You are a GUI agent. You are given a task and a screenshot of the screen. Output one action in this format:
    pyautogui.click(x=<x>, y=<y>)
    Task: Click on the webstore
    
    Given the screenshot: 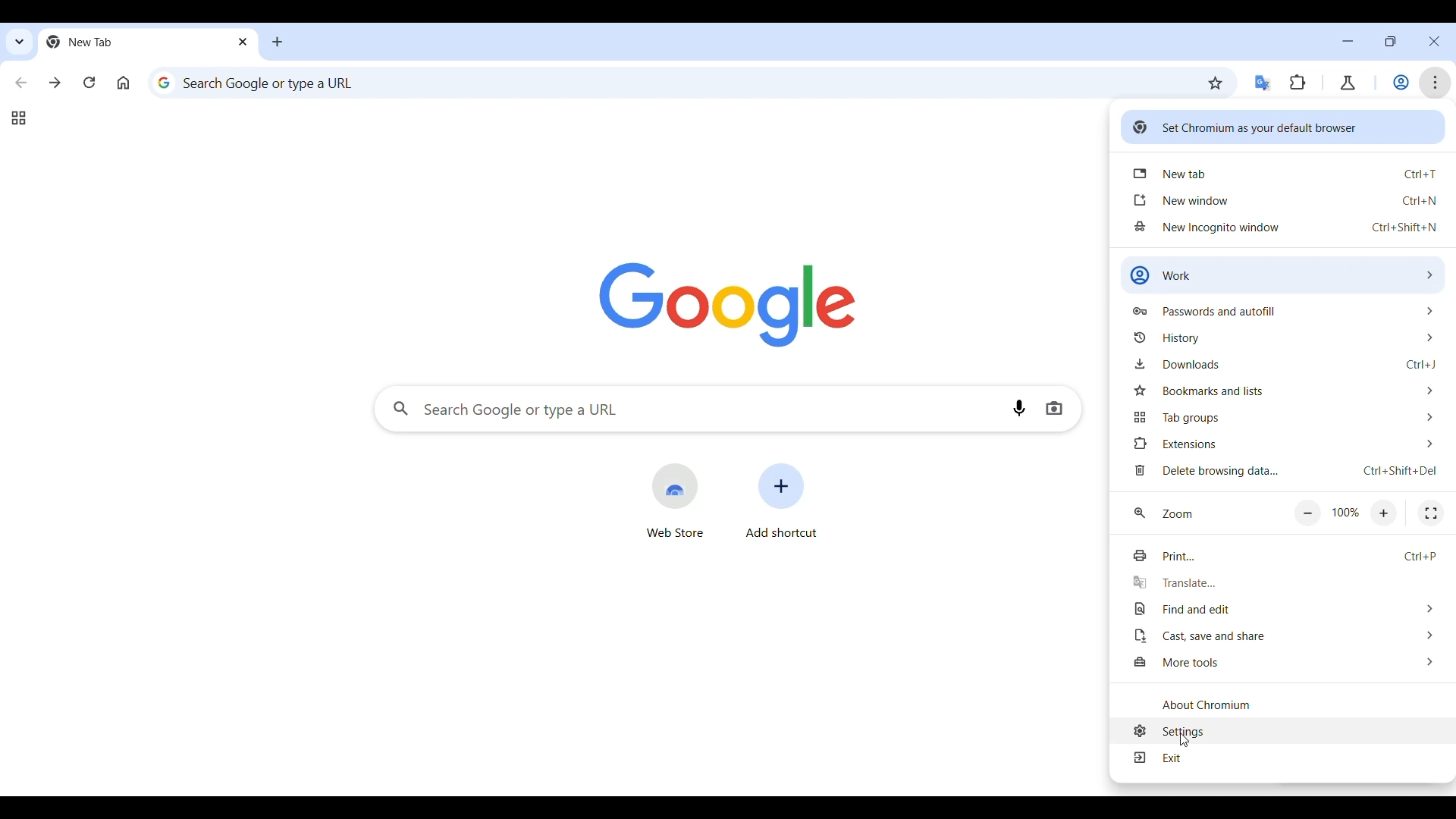 What is the action you would take?
    pyautogui.click(x=675, y=500)
    